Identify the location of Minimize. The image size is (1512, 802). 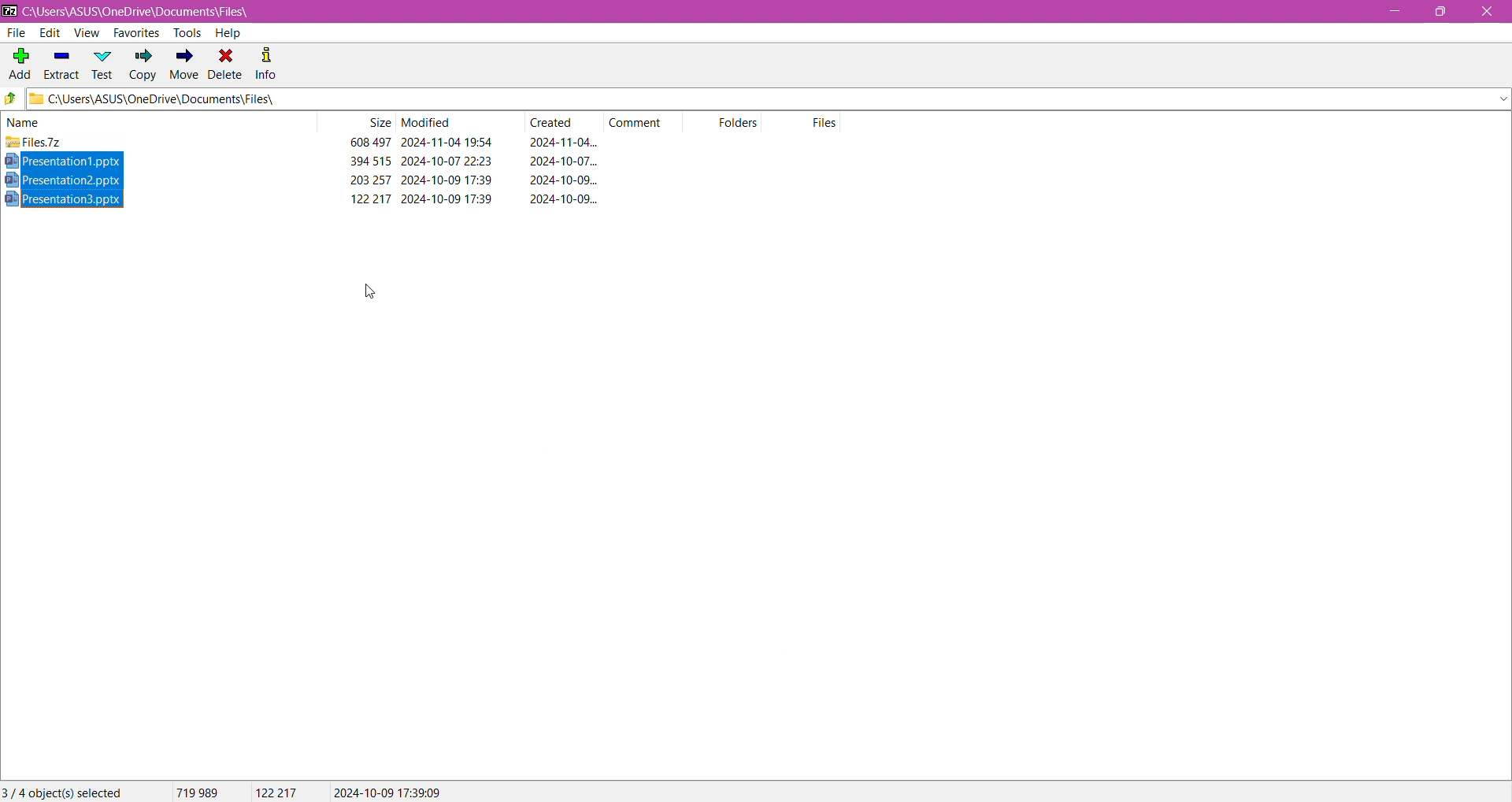
(1393, 12).